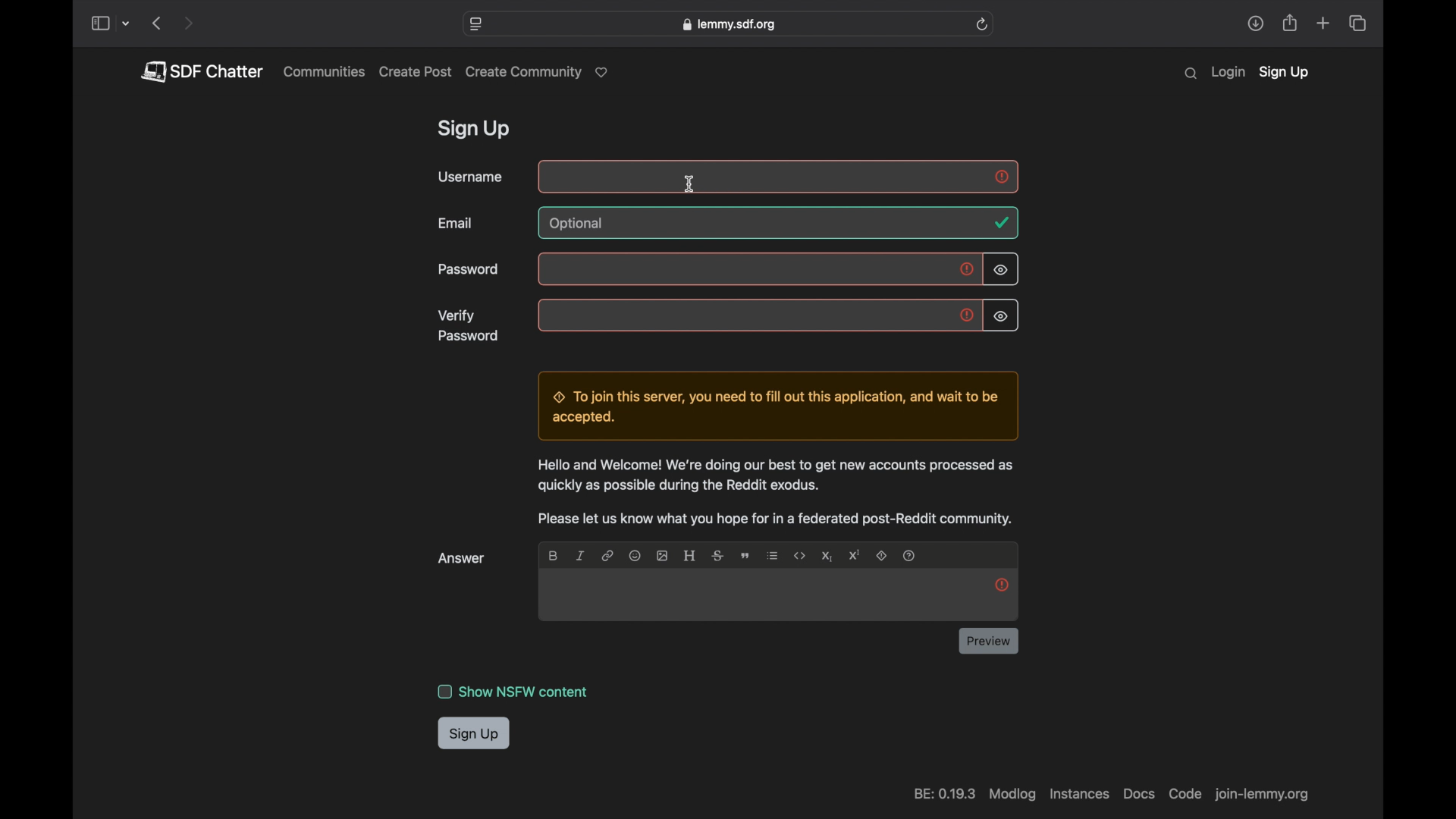  I want to click on create community, so click(540, 73).